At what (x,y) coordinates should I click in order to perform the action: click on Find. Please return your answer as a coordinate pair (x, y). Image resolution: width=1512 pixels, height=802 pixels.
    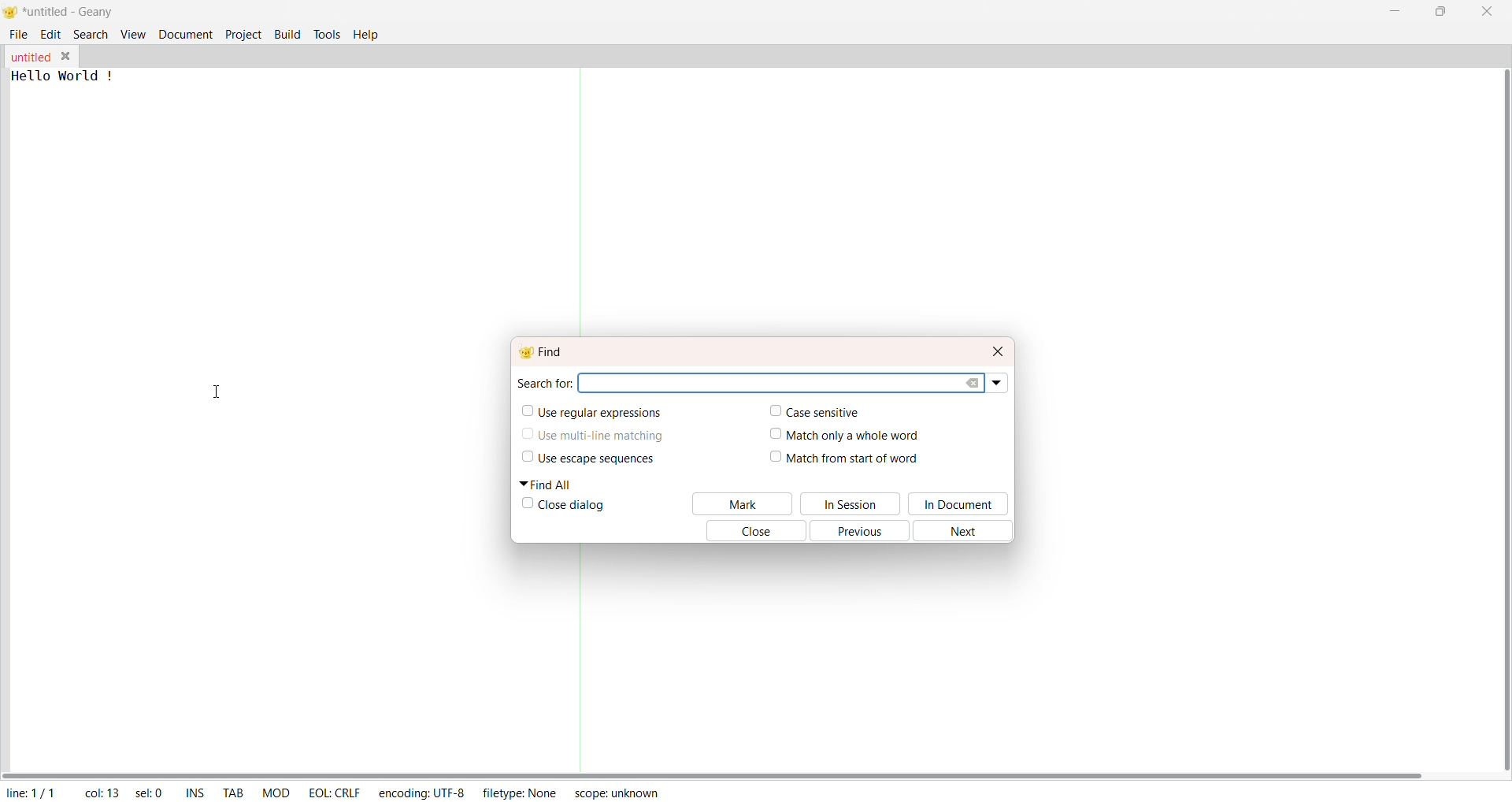
    Looking at the image, I should click on (547, 350).